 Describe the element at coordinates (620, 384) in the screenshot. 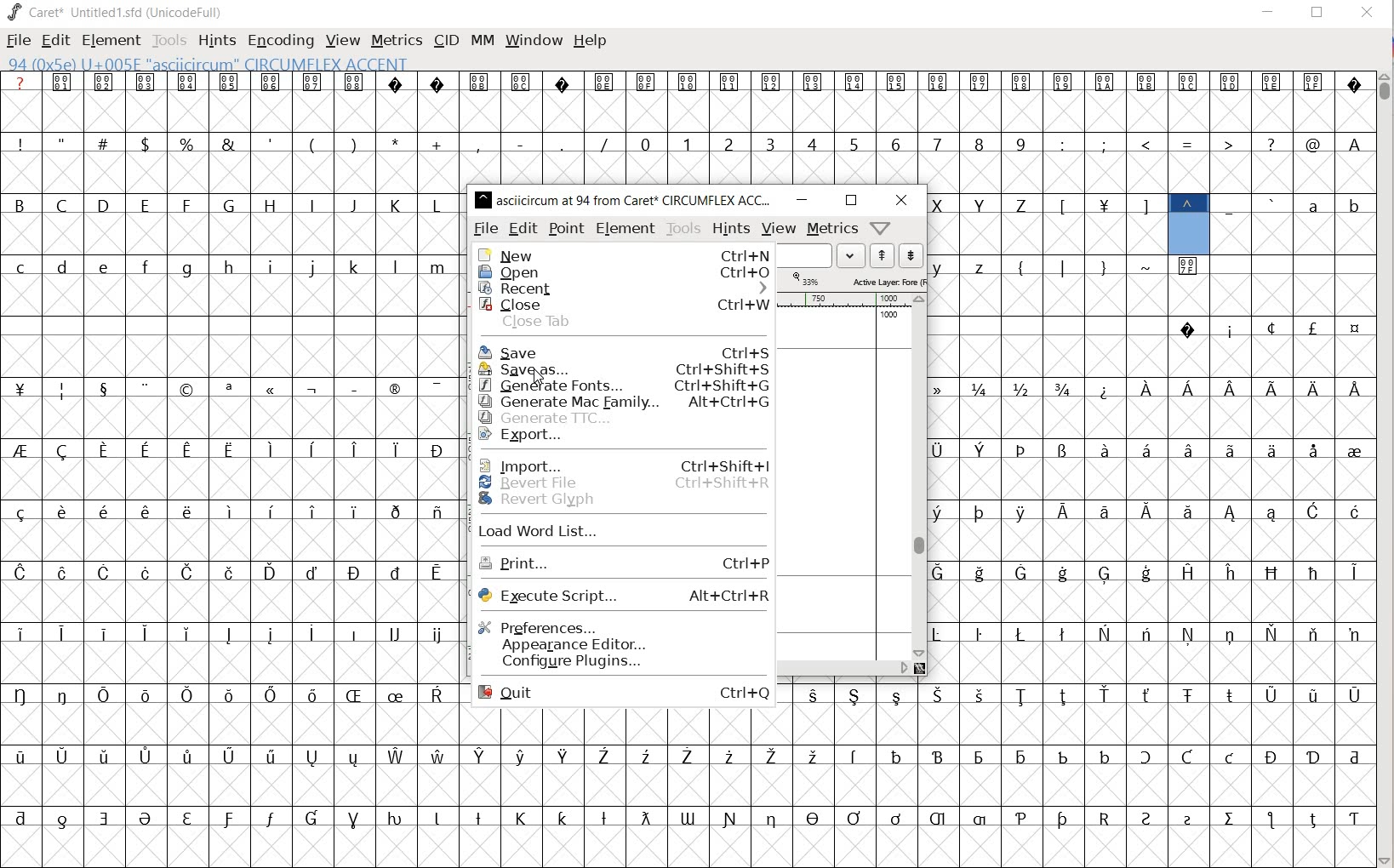

I see `Generate fonts` at that location.